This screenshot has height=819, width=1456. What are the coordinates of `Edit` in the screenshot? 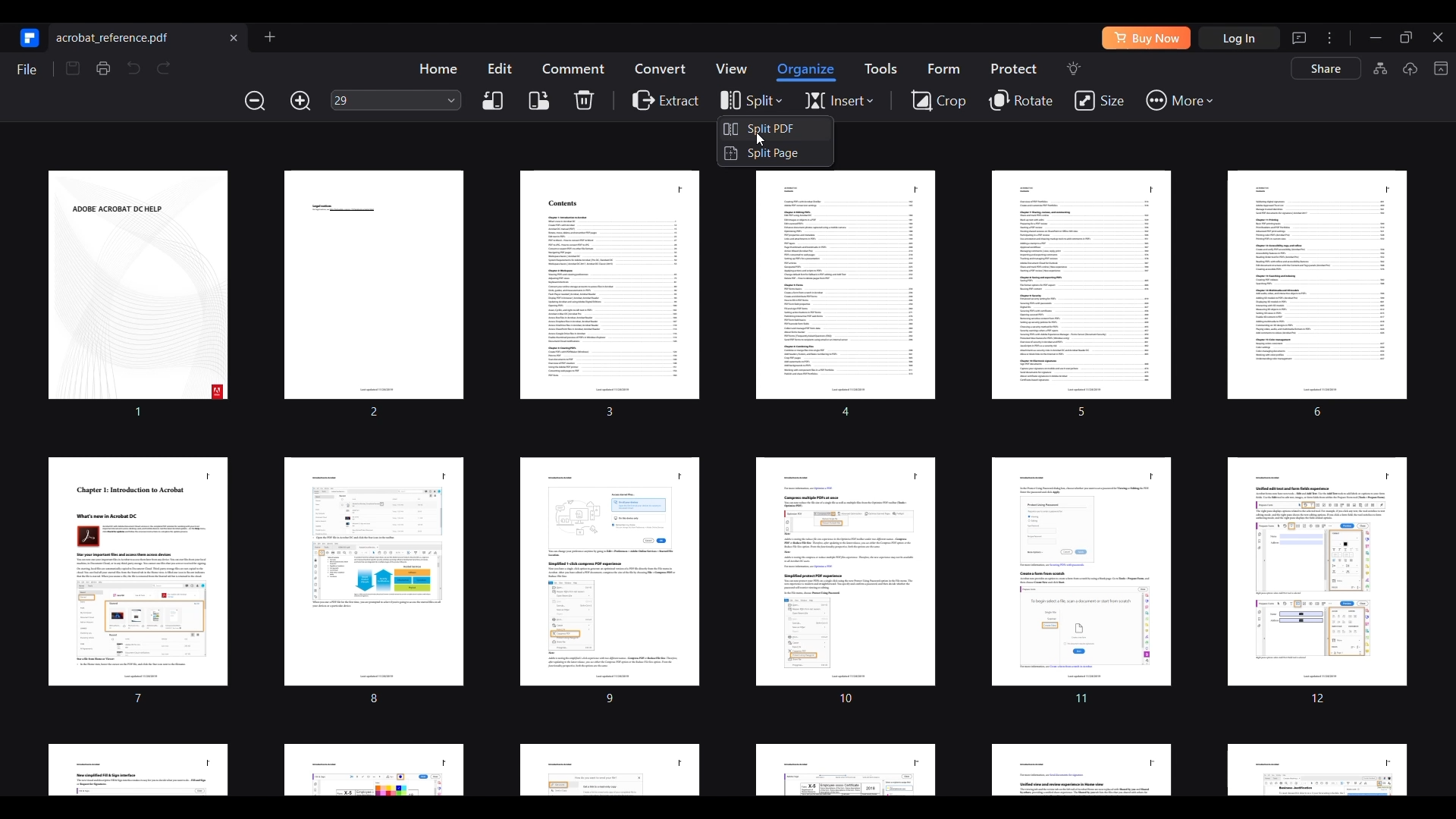 It's located at (500, 67).